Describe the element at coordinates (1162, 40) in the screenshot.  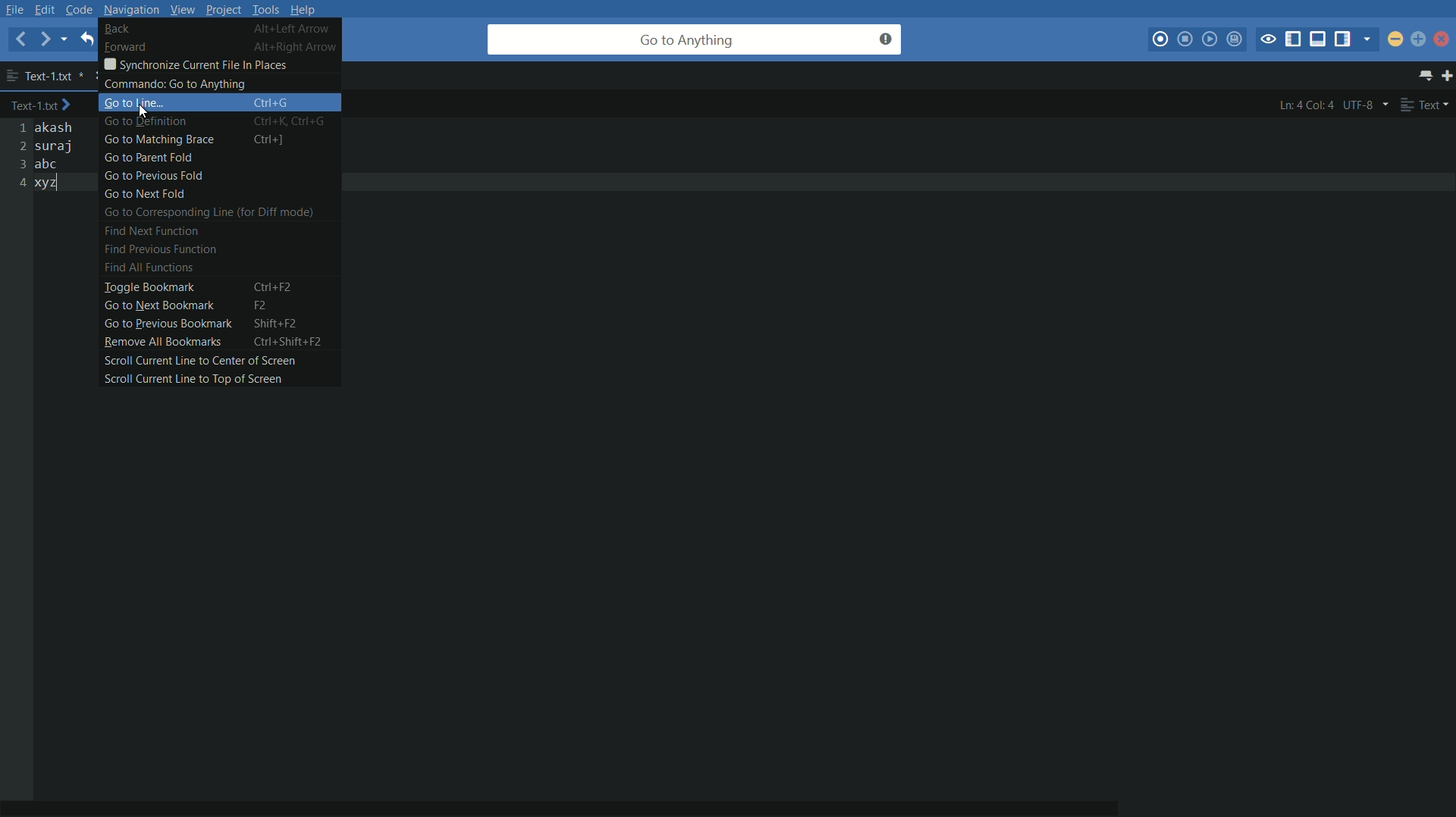
I see `start macro` at that location.